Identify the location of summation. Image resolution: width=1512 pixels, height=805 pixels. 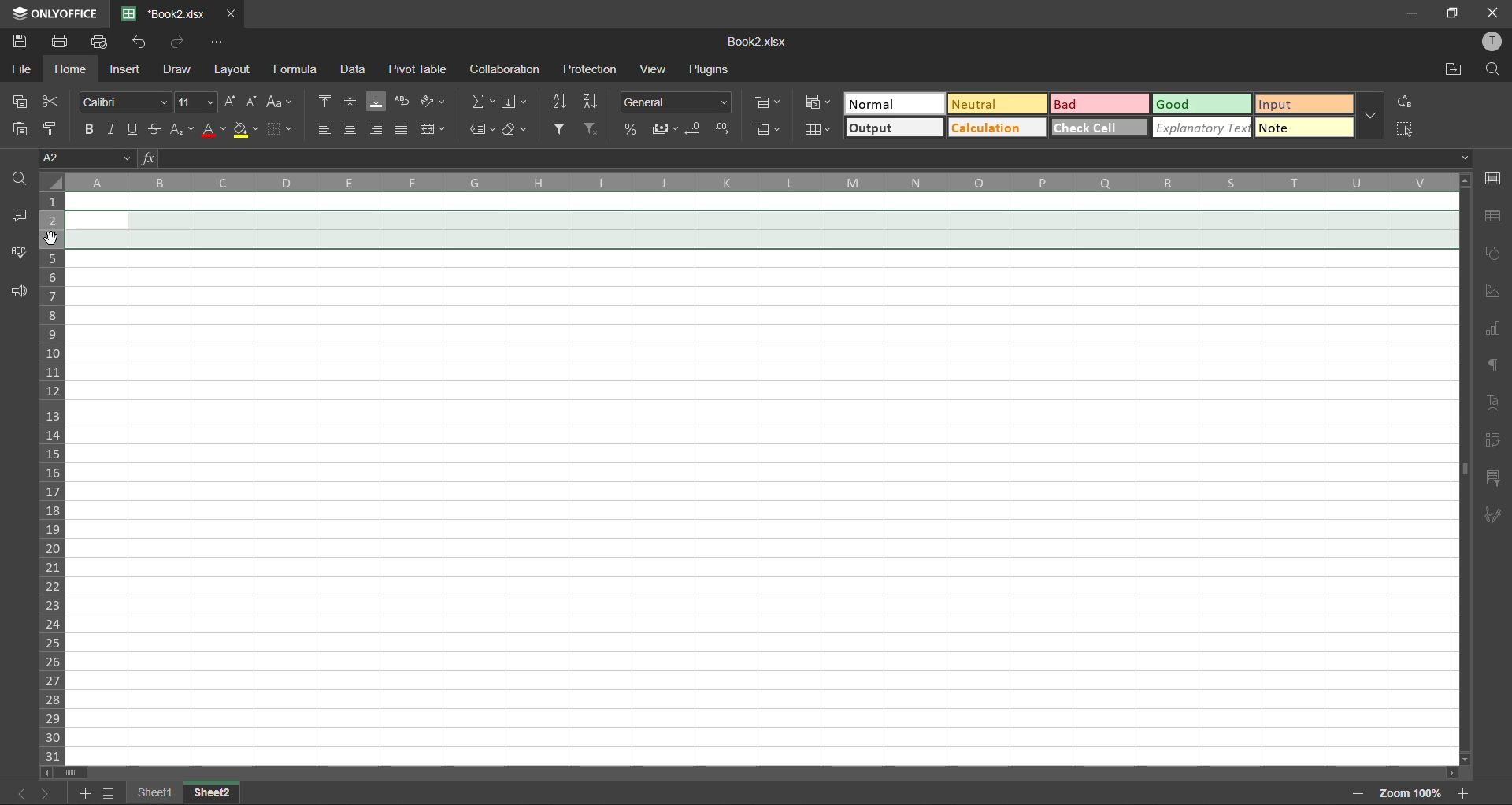
(480, 102).